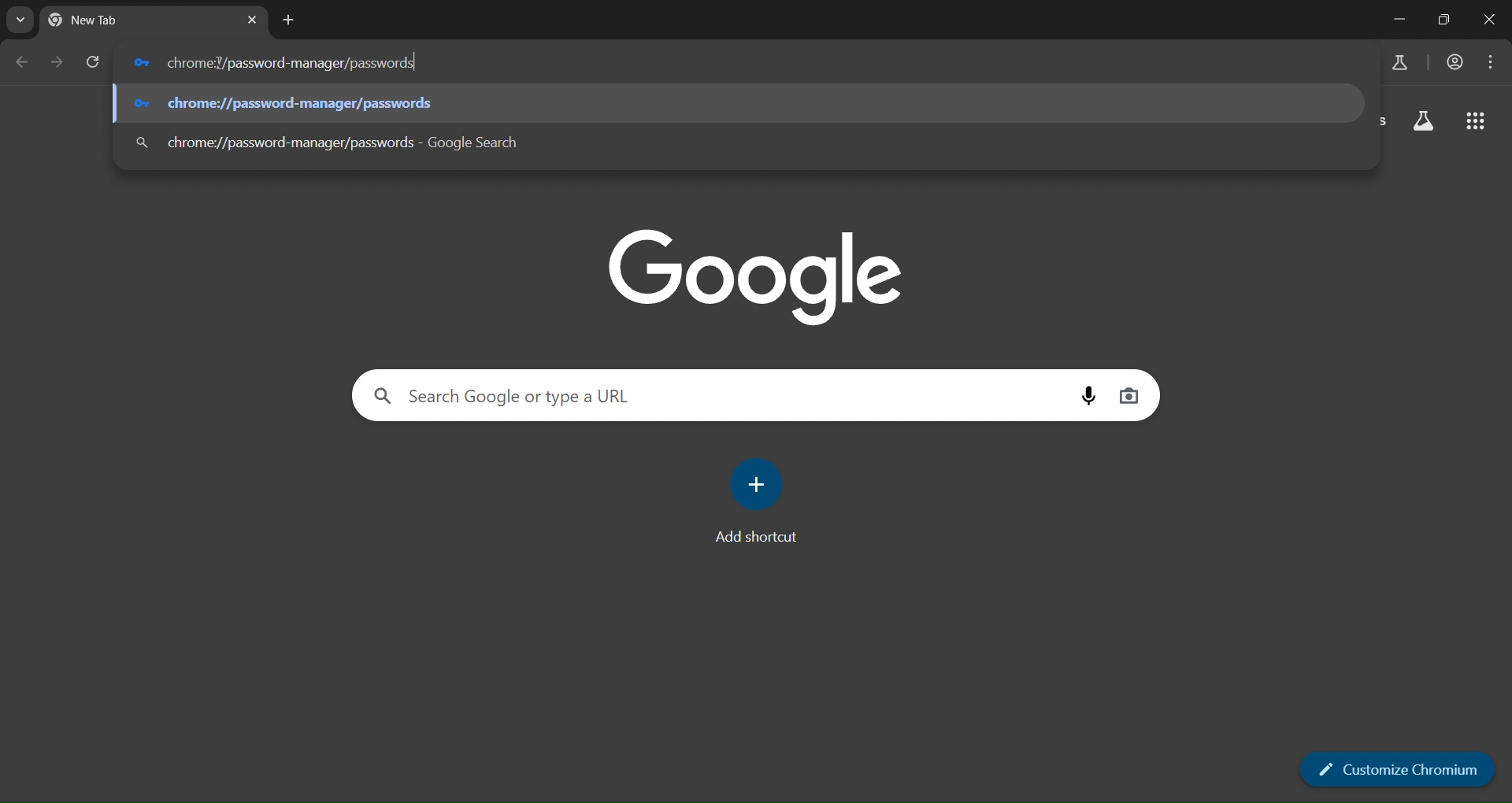 Image resolution: width=1512 pixels, height=803 pixels. What do you see at coordinates (1090, 398) in the screenshot?
I see `image search` at bounding box center [1090, 398].